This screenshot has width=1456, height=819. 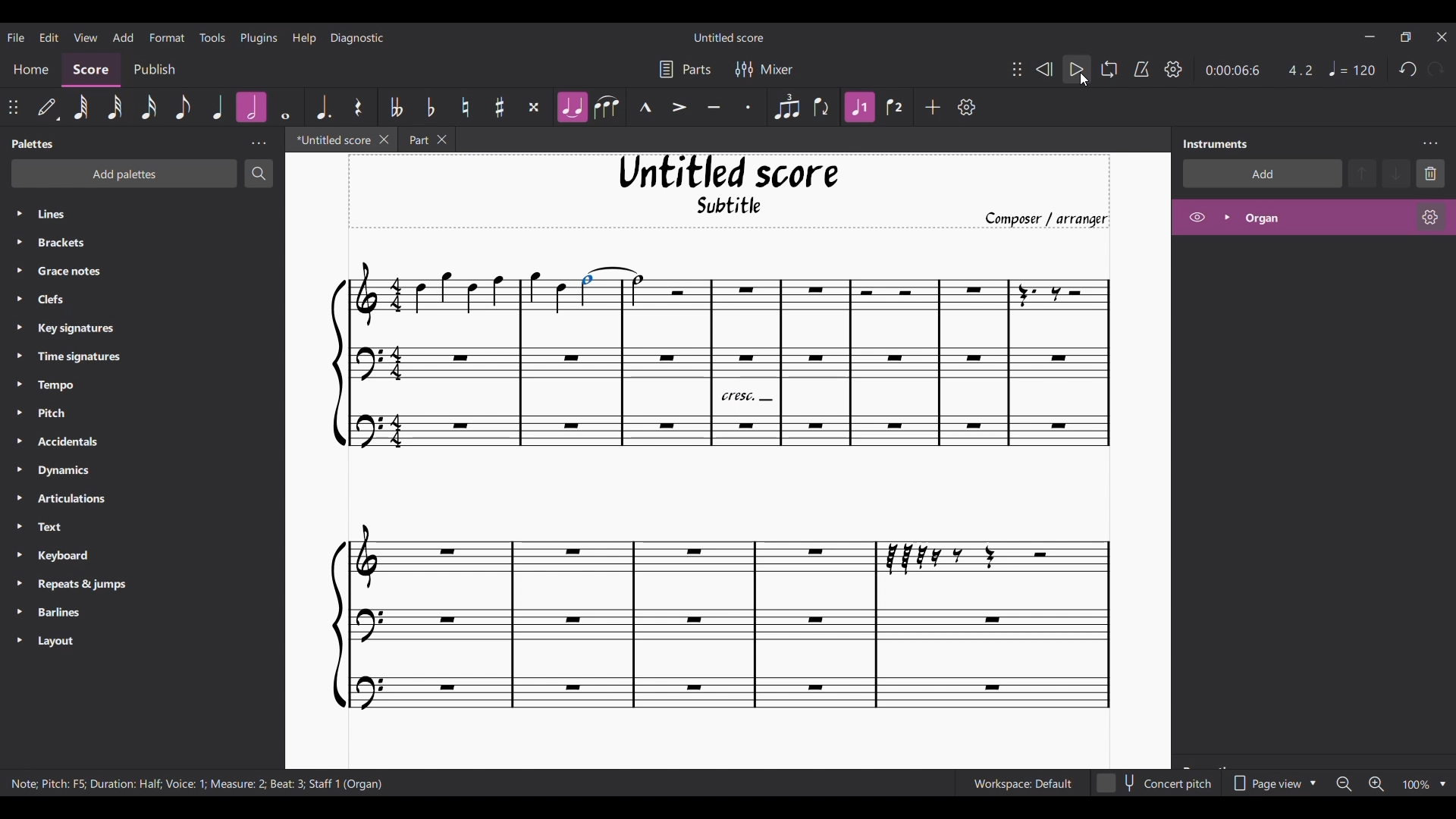 I want to click on Augmentation dot, so click(x=322, y=106).